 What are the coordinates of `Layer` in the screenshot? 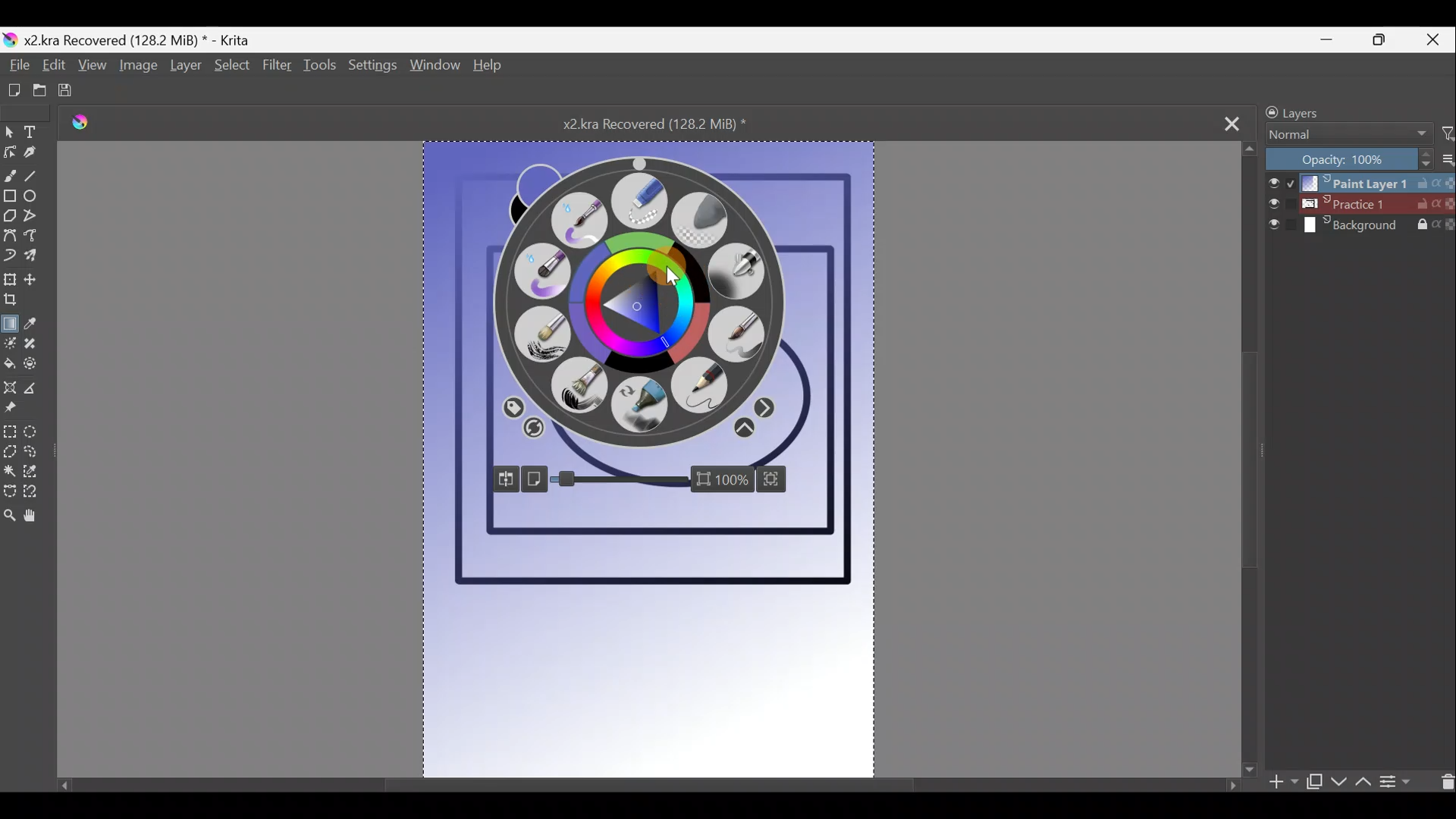 It's located at (185, 68).